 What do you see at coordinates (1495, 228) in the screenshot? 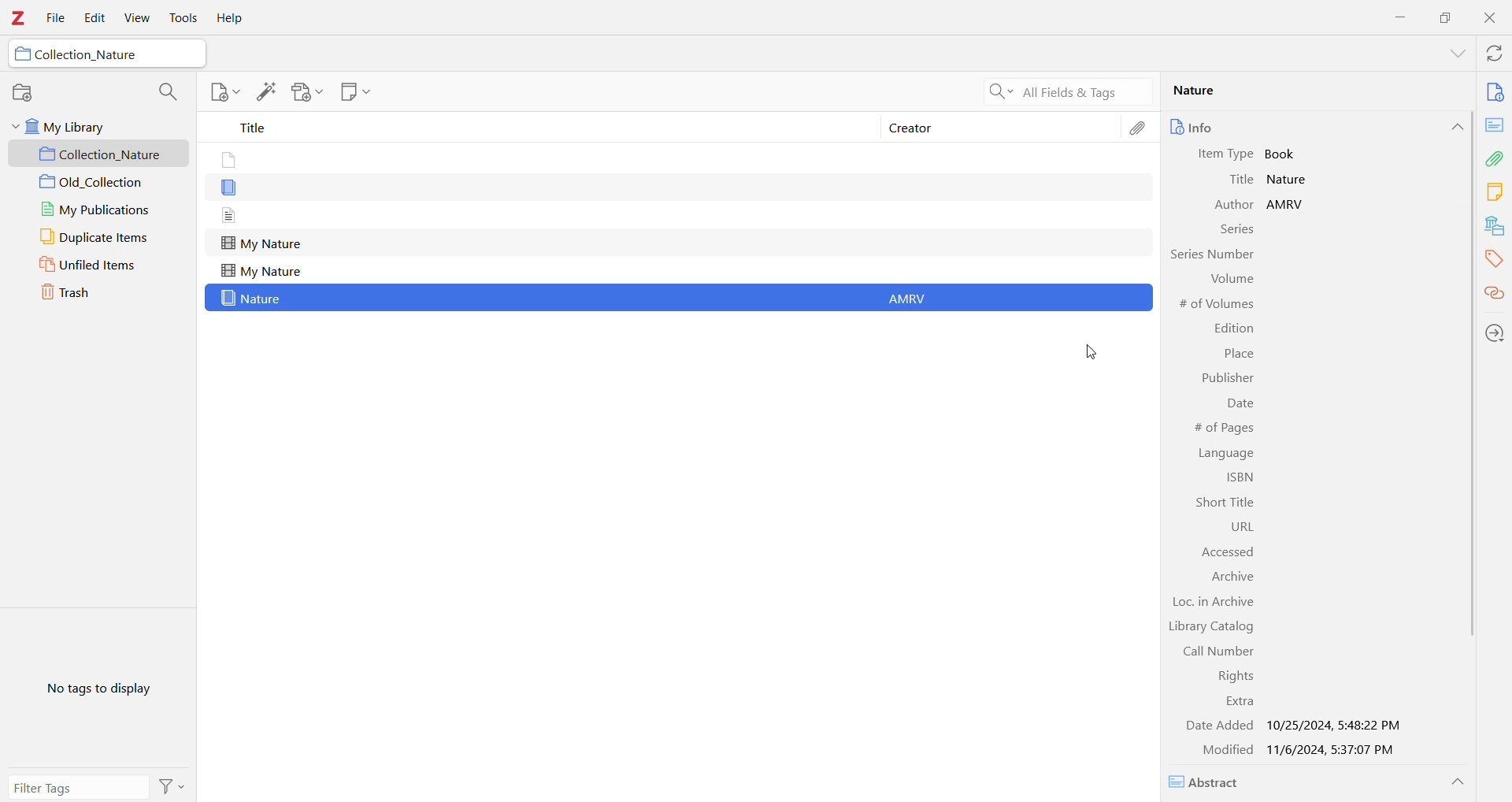
I see `Libraries and Colections` at bounding box center [1495, 228].